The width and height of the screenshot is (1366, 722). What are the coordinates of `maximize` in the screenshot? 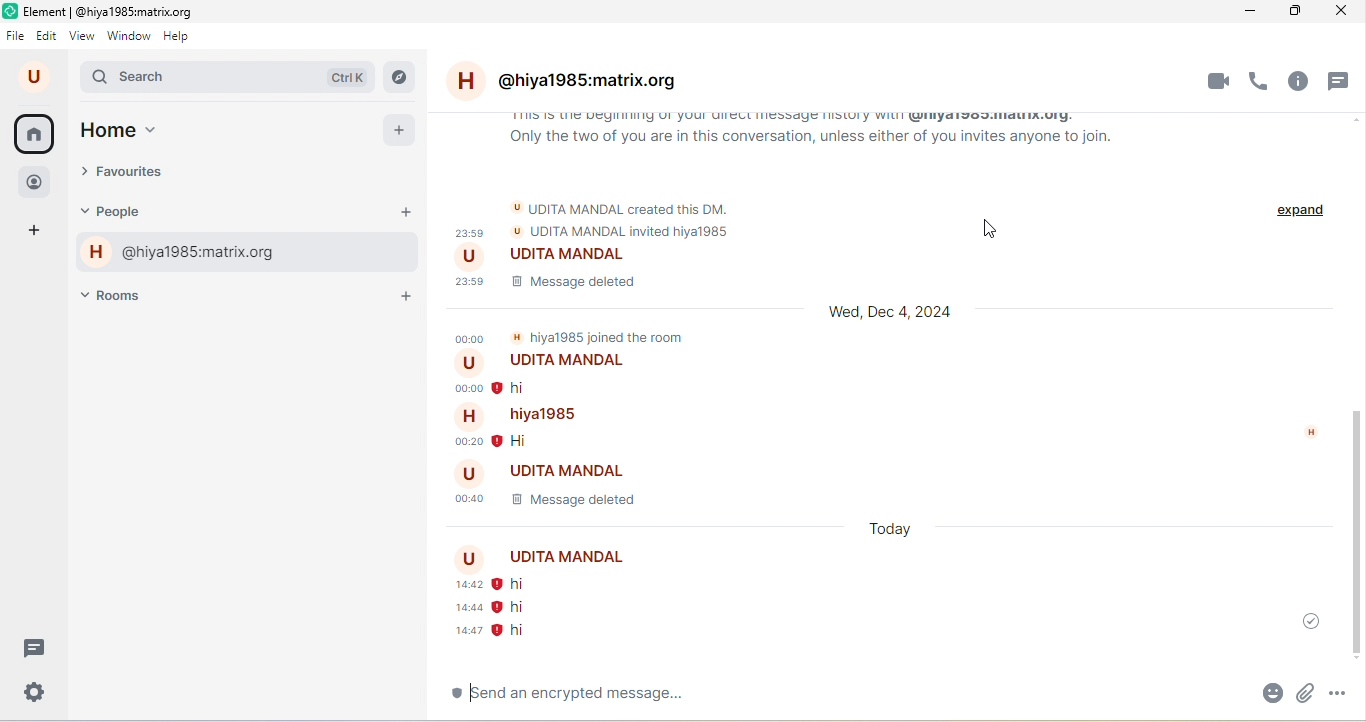 It's located at (1290, 13).